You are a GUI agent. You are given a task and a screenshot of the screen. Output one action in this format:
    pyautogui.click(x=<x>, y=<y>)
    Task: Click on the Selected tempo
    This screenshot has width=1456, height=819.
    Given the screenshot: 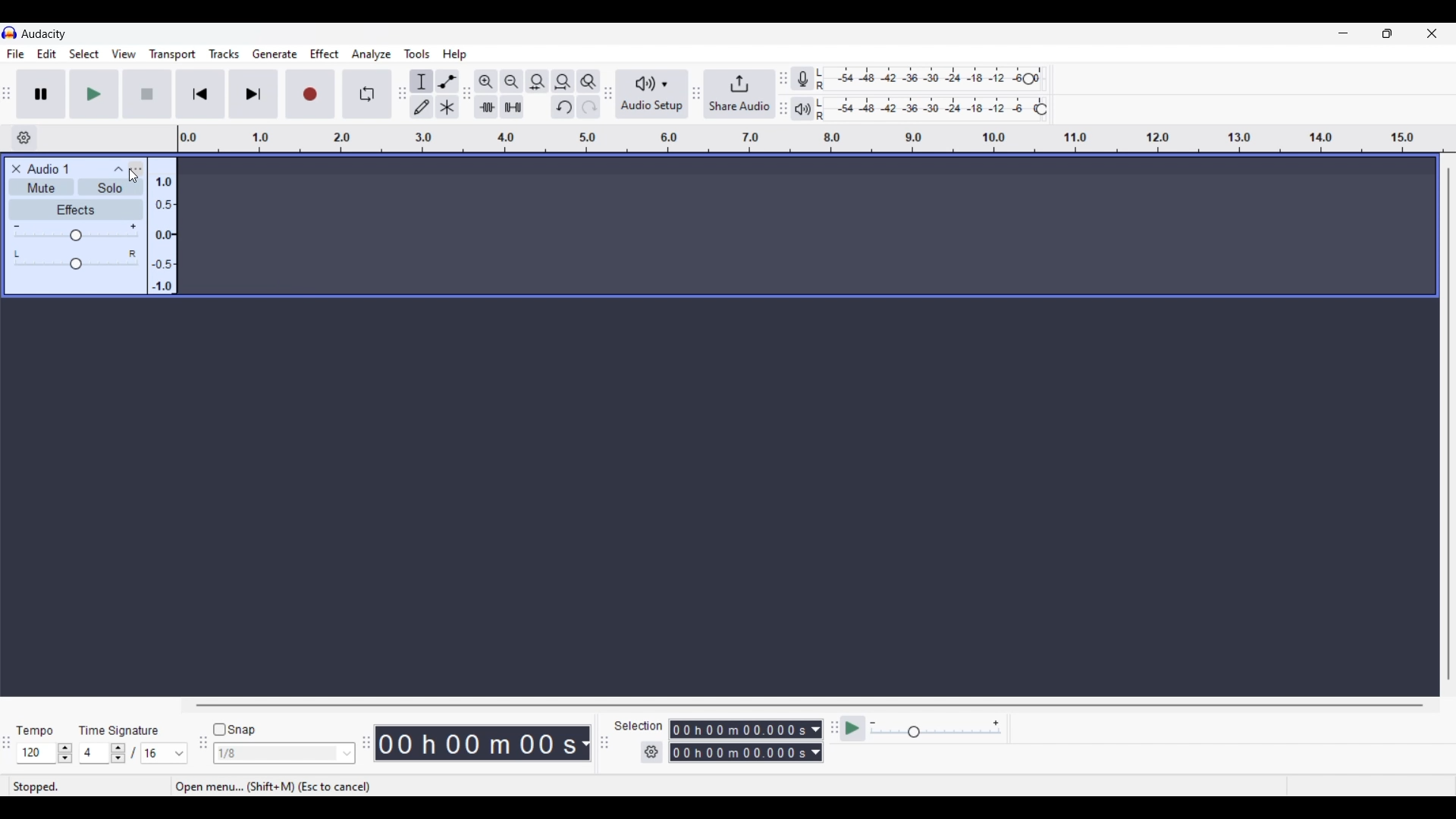 What is the action you would take?
    pyautogui.click(x=36, y=753)
    